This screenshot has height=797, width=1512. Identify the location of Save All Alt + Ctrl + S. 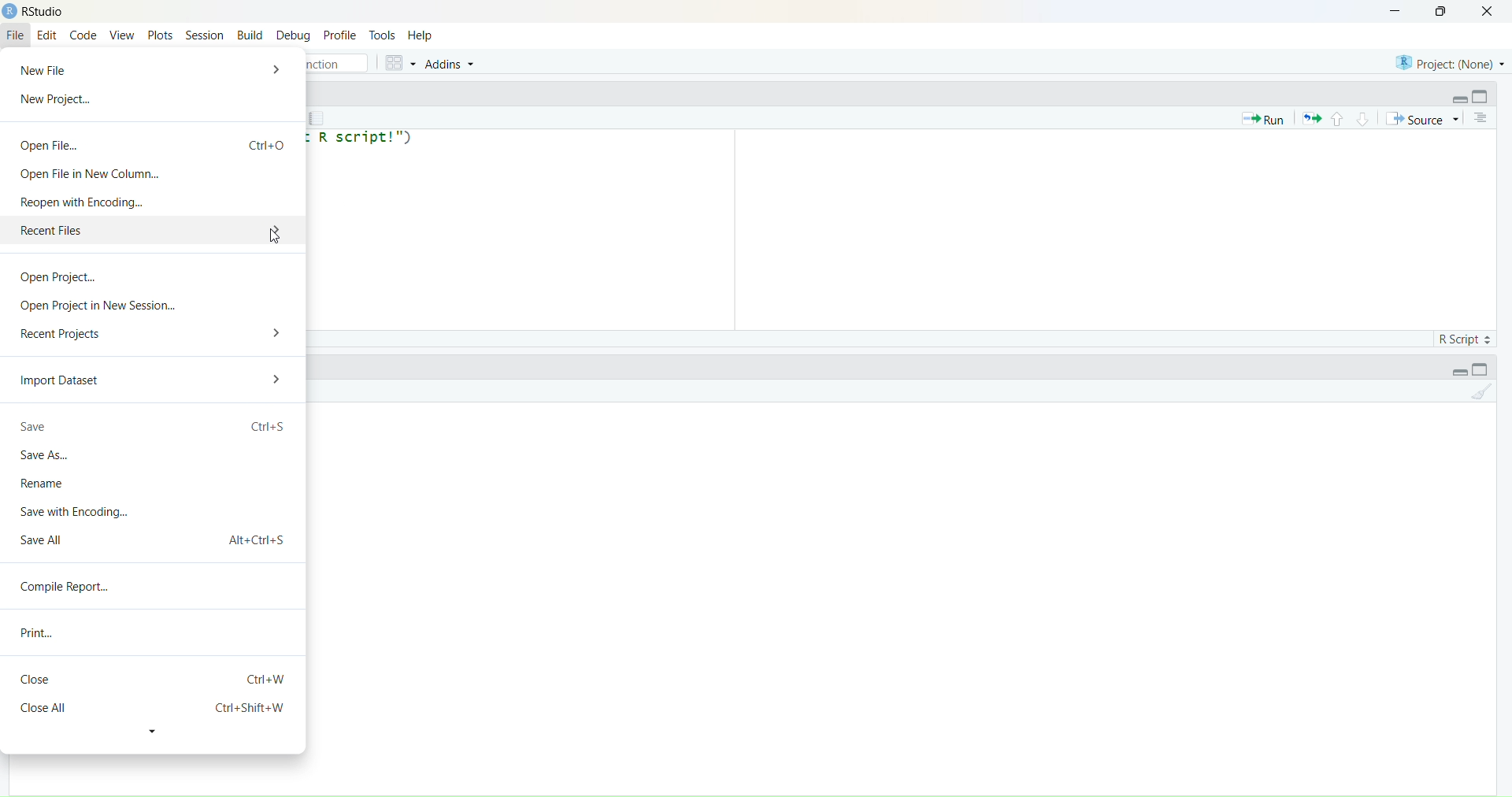
(154, 538).